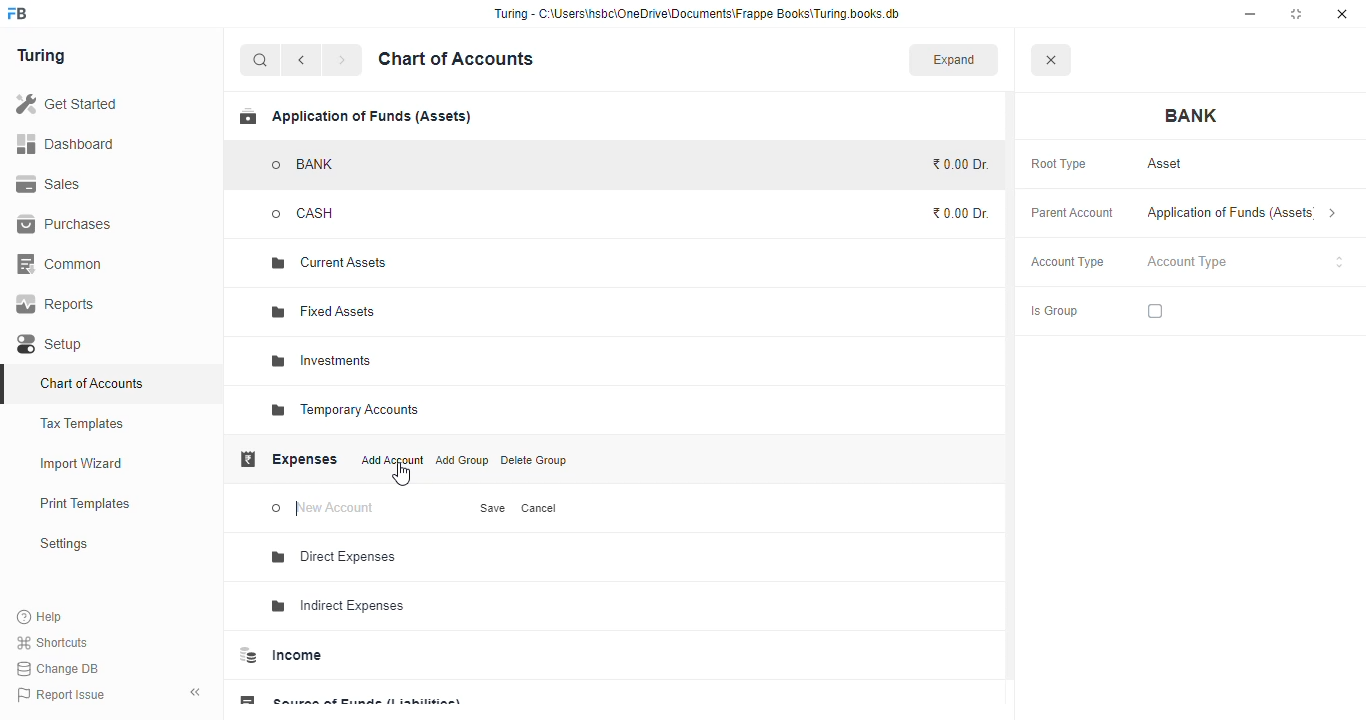 The width and height of the screenshot is (1366, 720). I want to click on add group, so click(462, 460).